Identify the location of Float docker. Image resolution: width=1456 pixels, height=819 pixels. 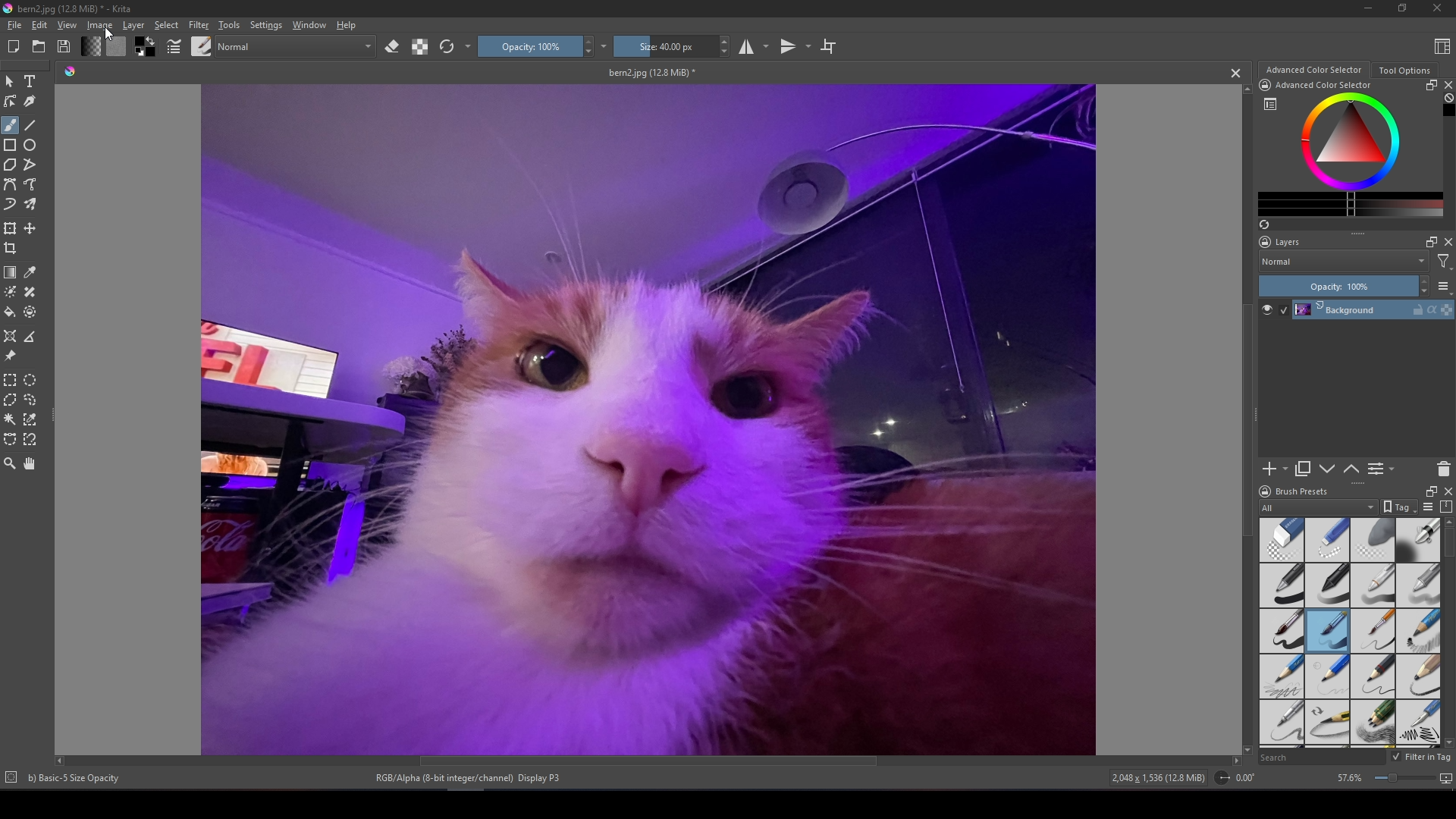
(1430, 242).